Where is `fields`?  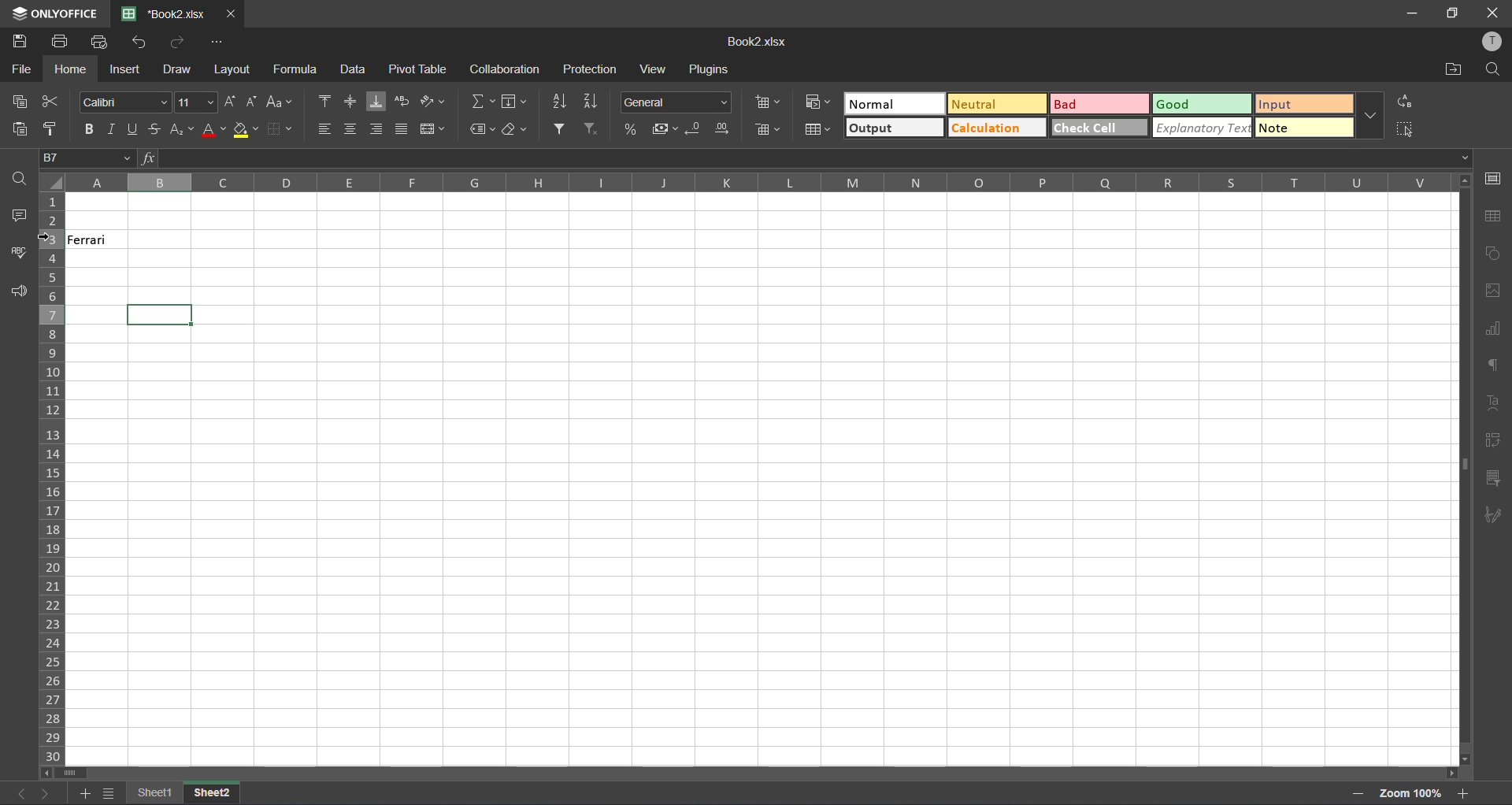 fields is located at coordinates (517, 101).